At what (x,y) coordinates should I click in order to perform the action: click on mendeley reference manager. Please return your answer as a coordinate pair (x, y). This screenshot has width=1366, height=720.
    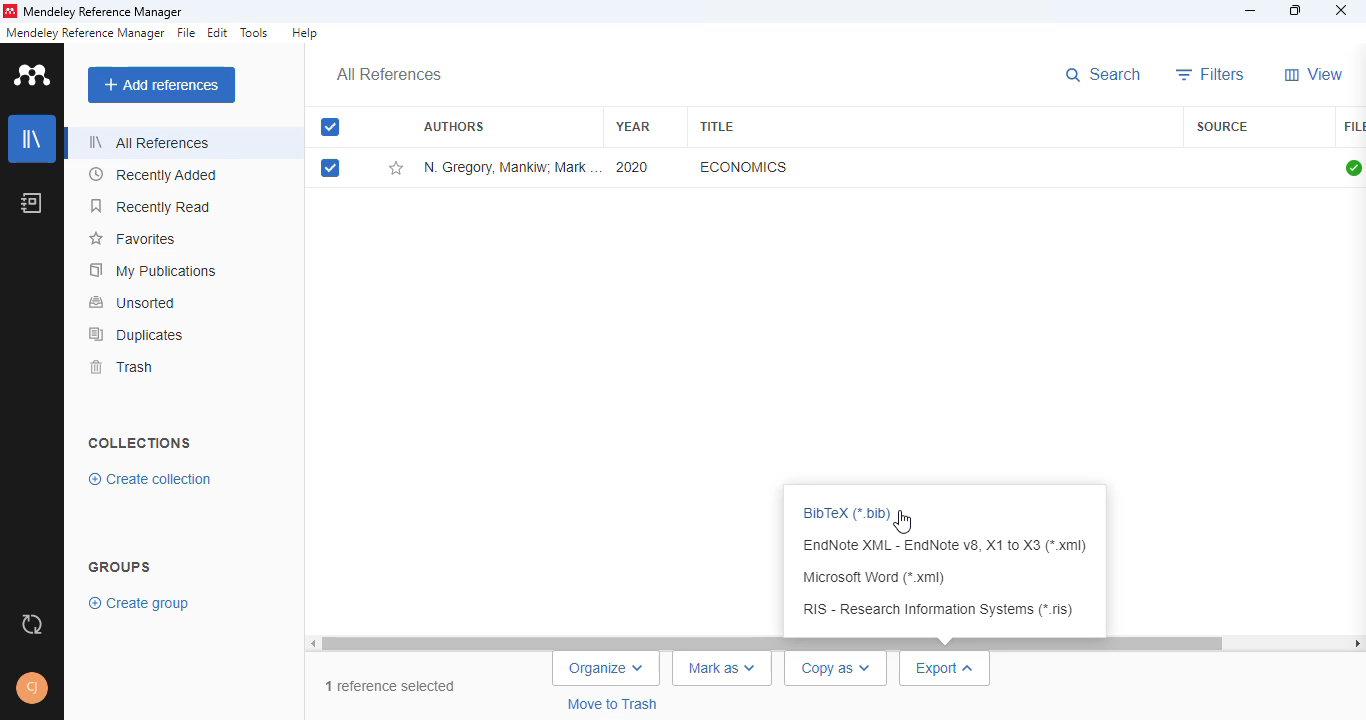
    Looking at the image, I should click on (85, 33).